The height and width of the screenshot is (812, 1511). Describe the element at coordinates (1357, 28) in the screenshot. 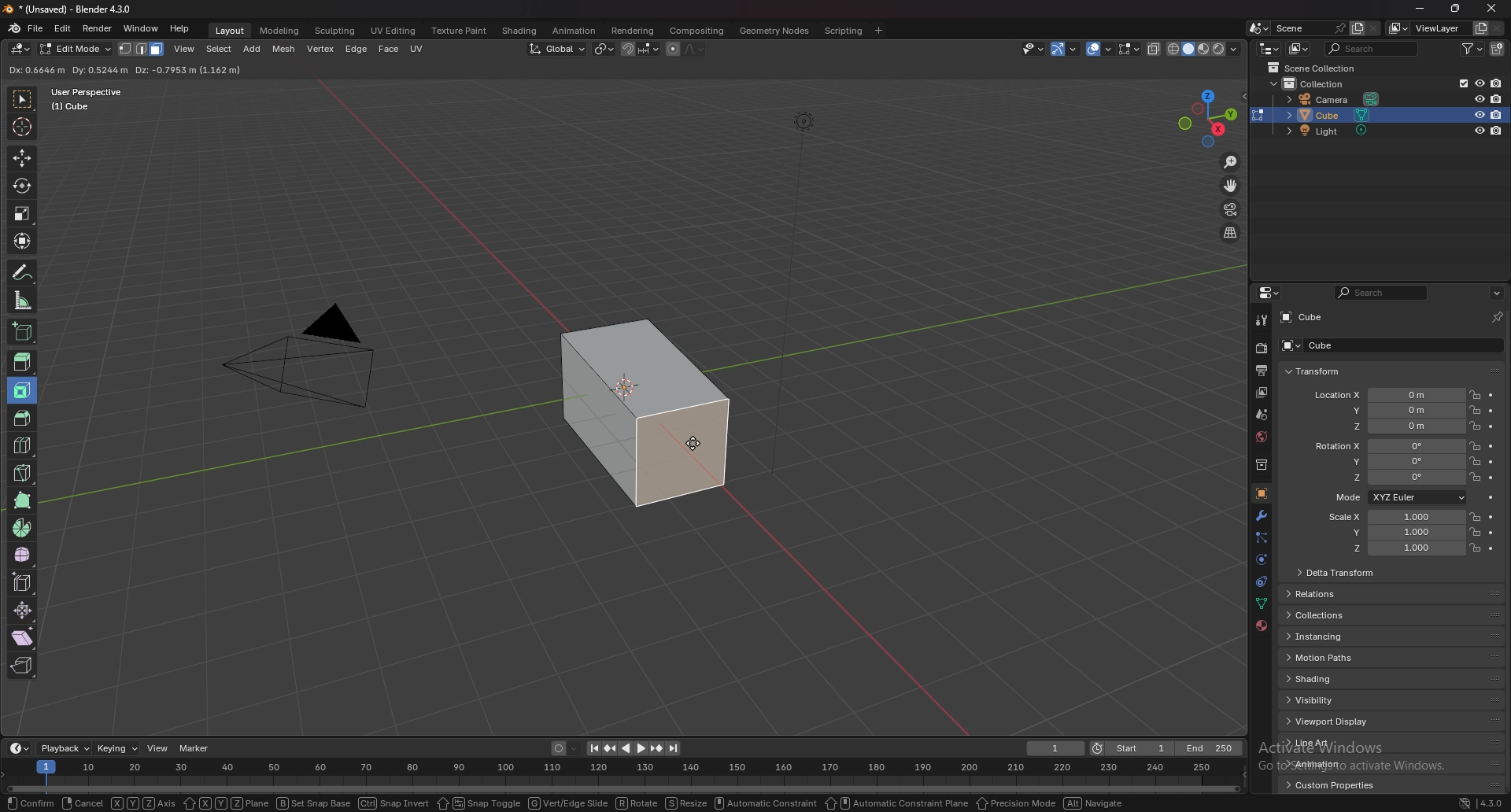

I see `add scene` at that location.